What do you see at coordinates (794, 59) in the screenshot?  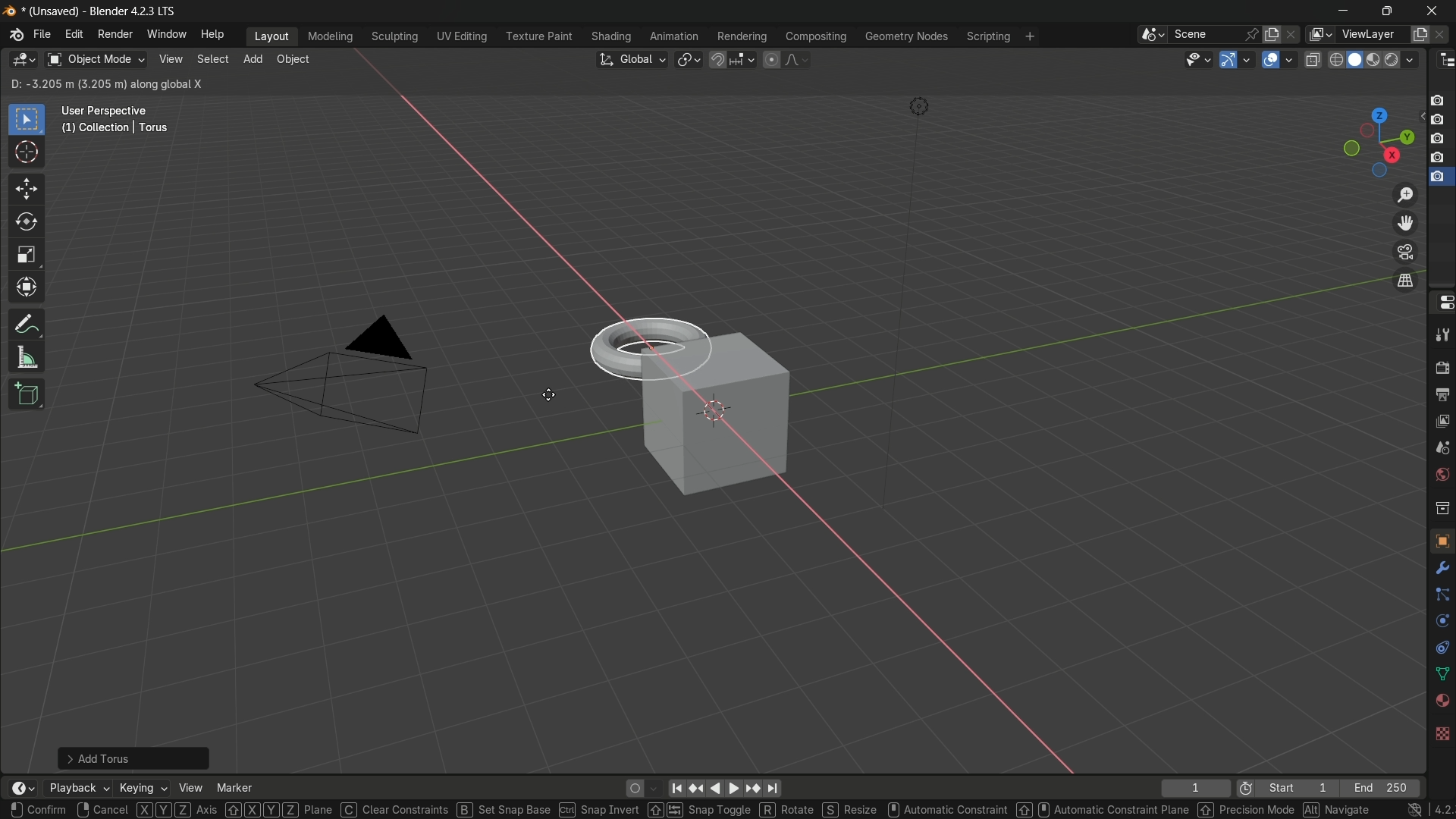 I see `proportional editing fallout` at bounding box center [794, 59].